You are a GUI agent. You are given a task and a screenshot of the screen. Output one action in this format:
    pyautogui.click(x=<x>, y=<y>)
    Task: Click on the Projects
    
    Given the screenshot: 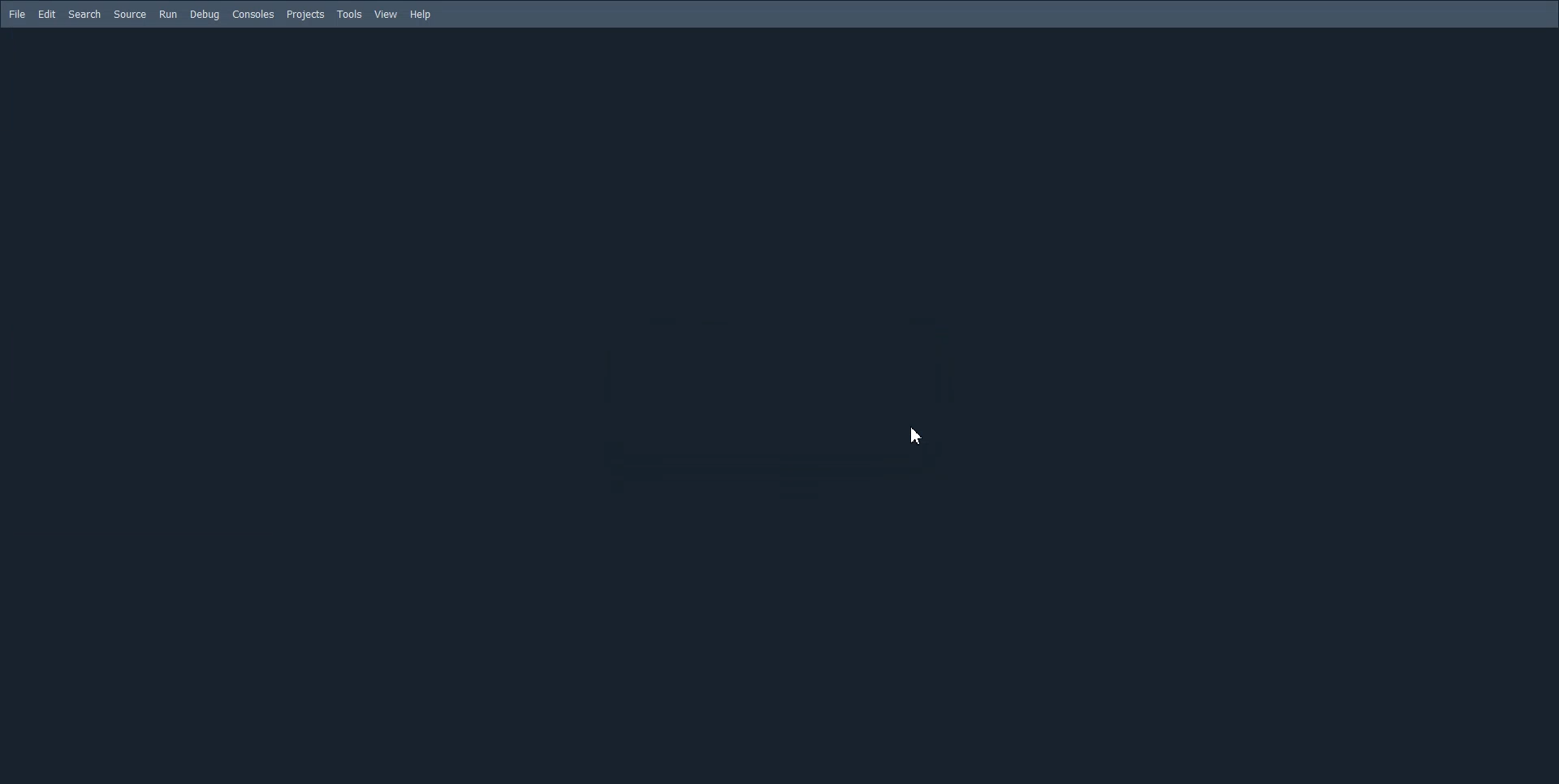 What is the action you would take?
    pyautogui.click(x=305, y=15)
    